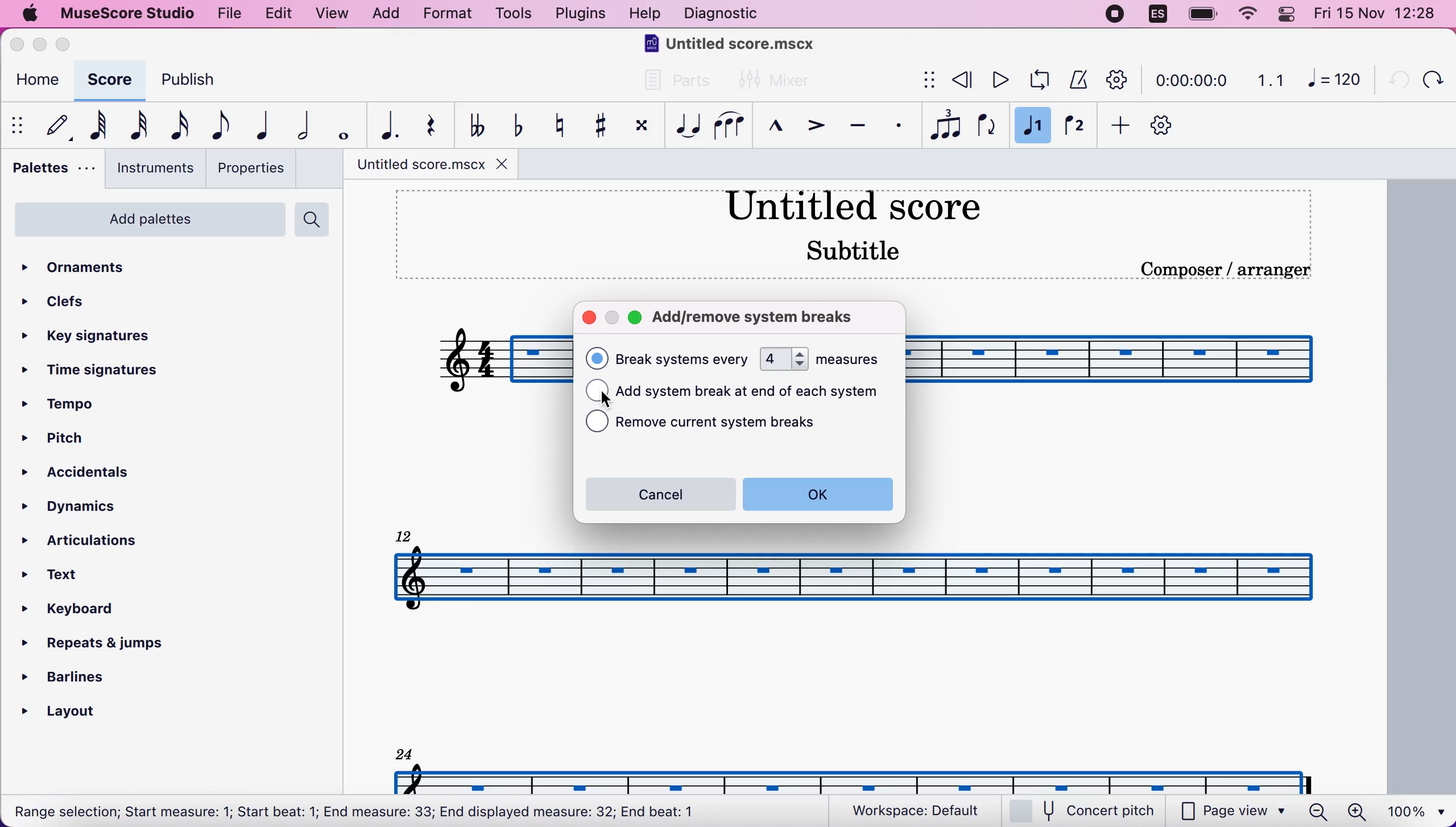 The image size is (1456, 827). Describe the element at coordinates (85, 507) in the screenshot. I see `dynamics` at that location.